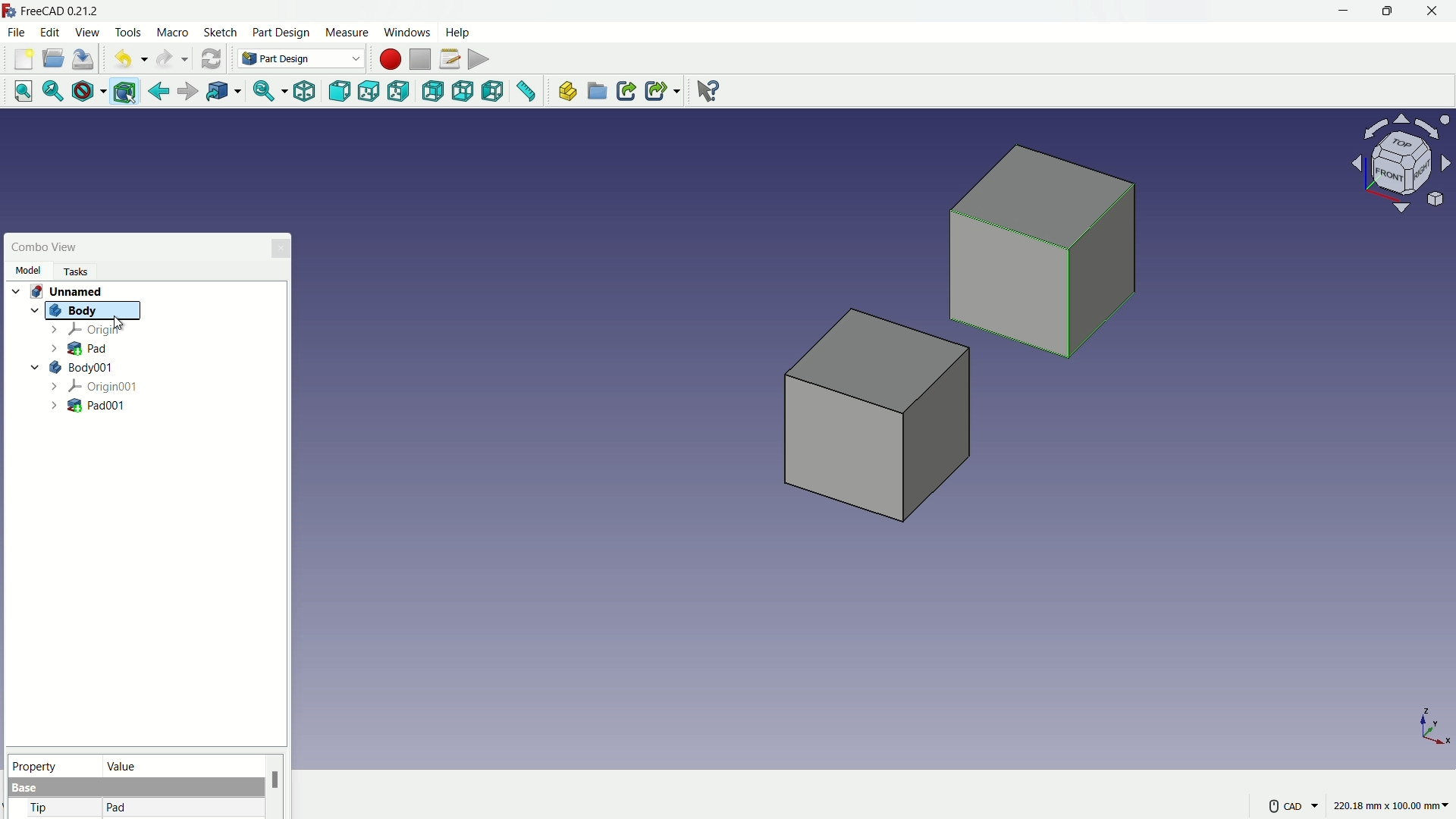 This screenshot has width=1456, height=819. What do you see at coordinates (304, 93) in the screenshot?
I see `isometric view` at bounding box center [304, 93].